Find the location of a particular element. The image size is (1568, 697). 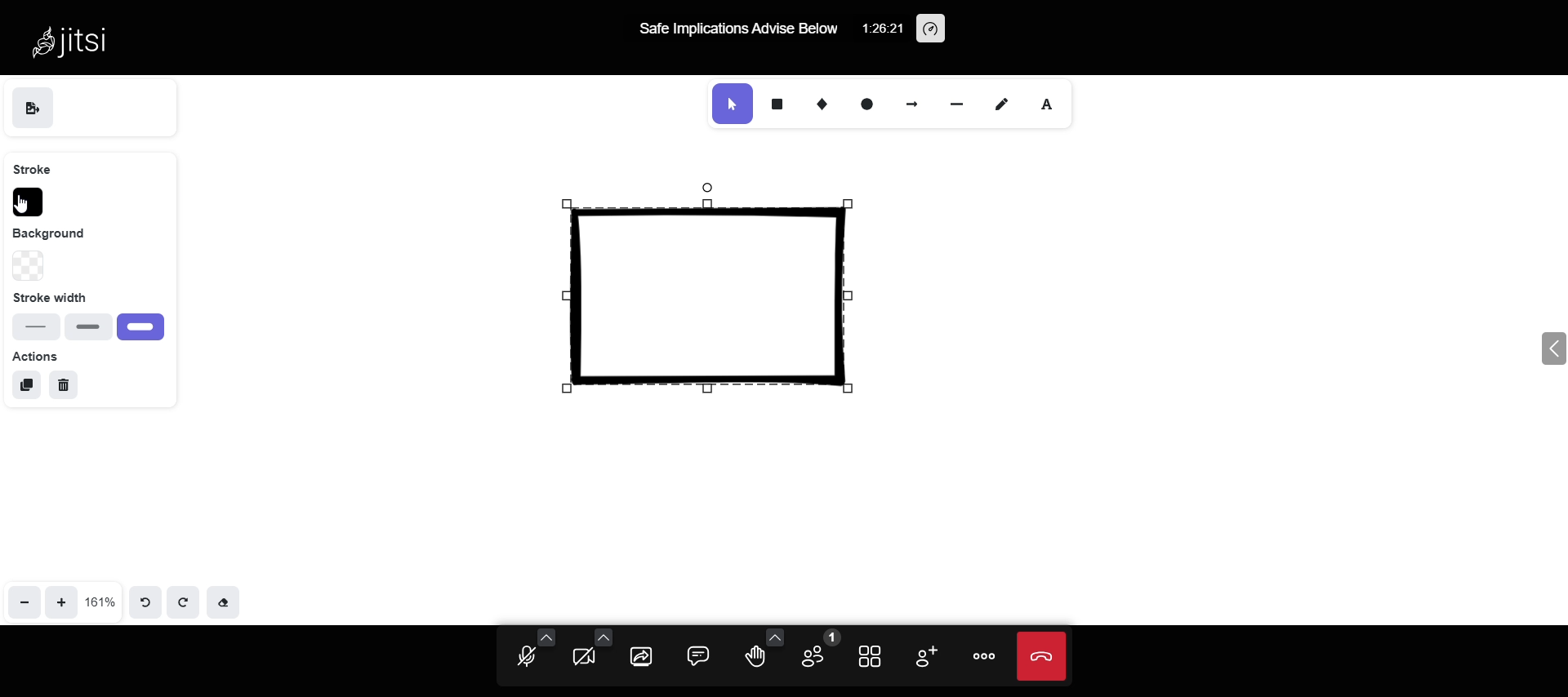

expand is located at coordinates (1539, 348).